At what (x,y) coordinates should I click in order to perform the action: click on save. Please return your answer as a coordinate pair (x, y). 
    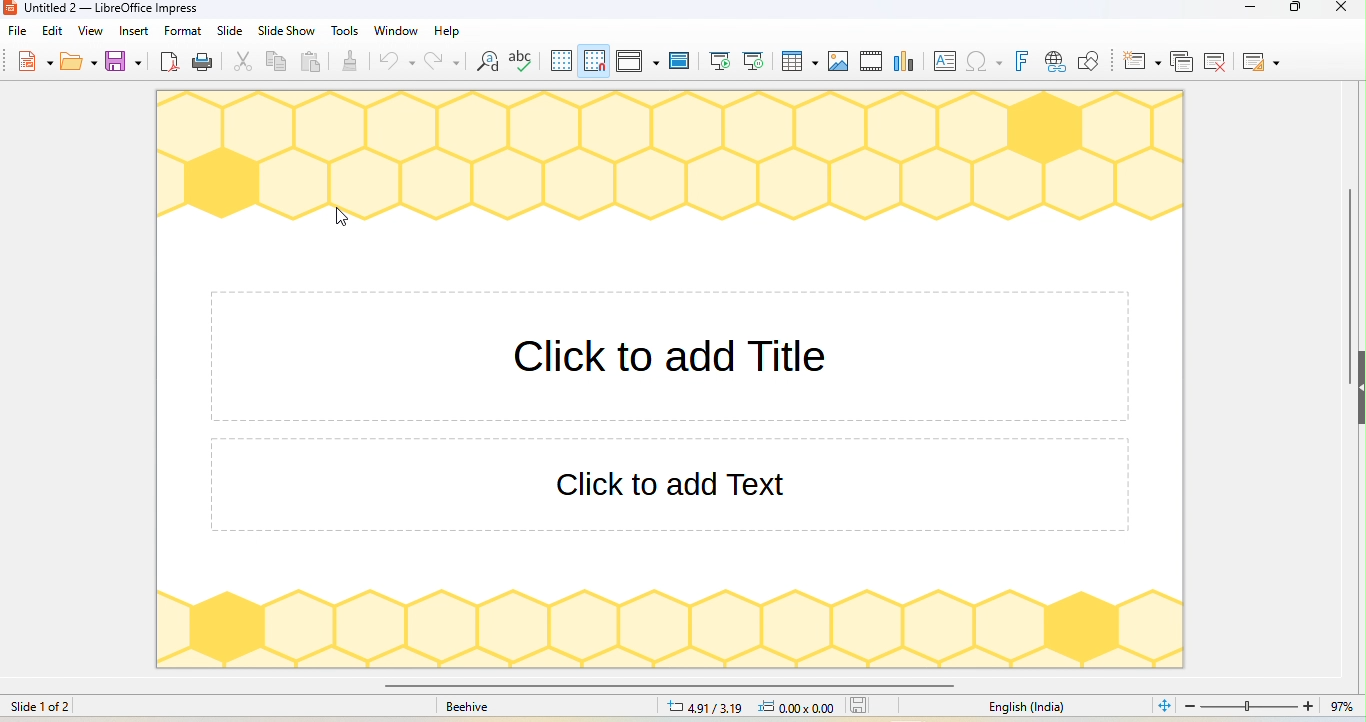
    Looking at the image, I should click on (866, 706).